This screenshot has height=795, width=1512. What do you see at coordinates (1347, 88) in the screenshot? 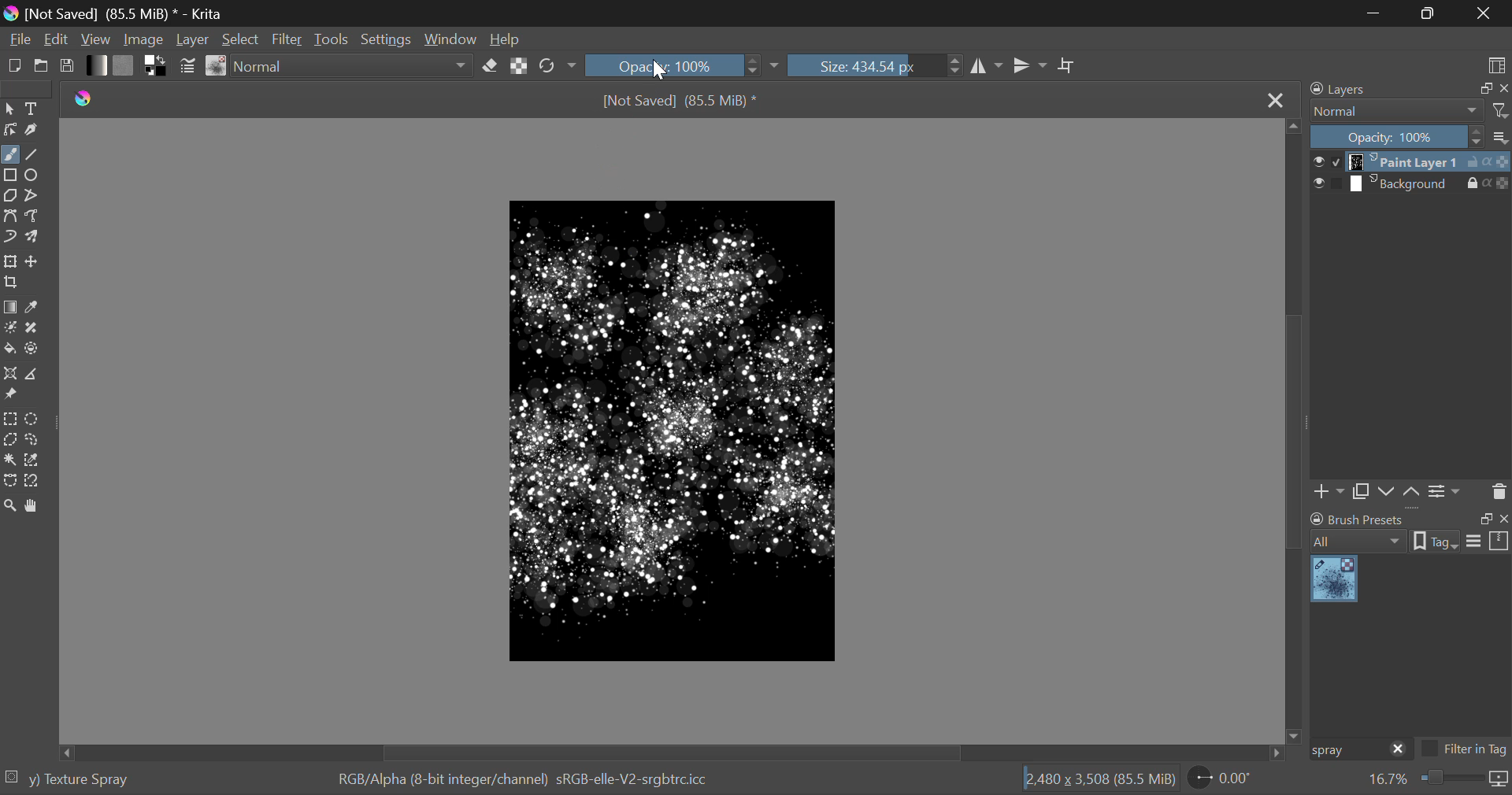
I see `Layers` at bounding box center [1347, 88].